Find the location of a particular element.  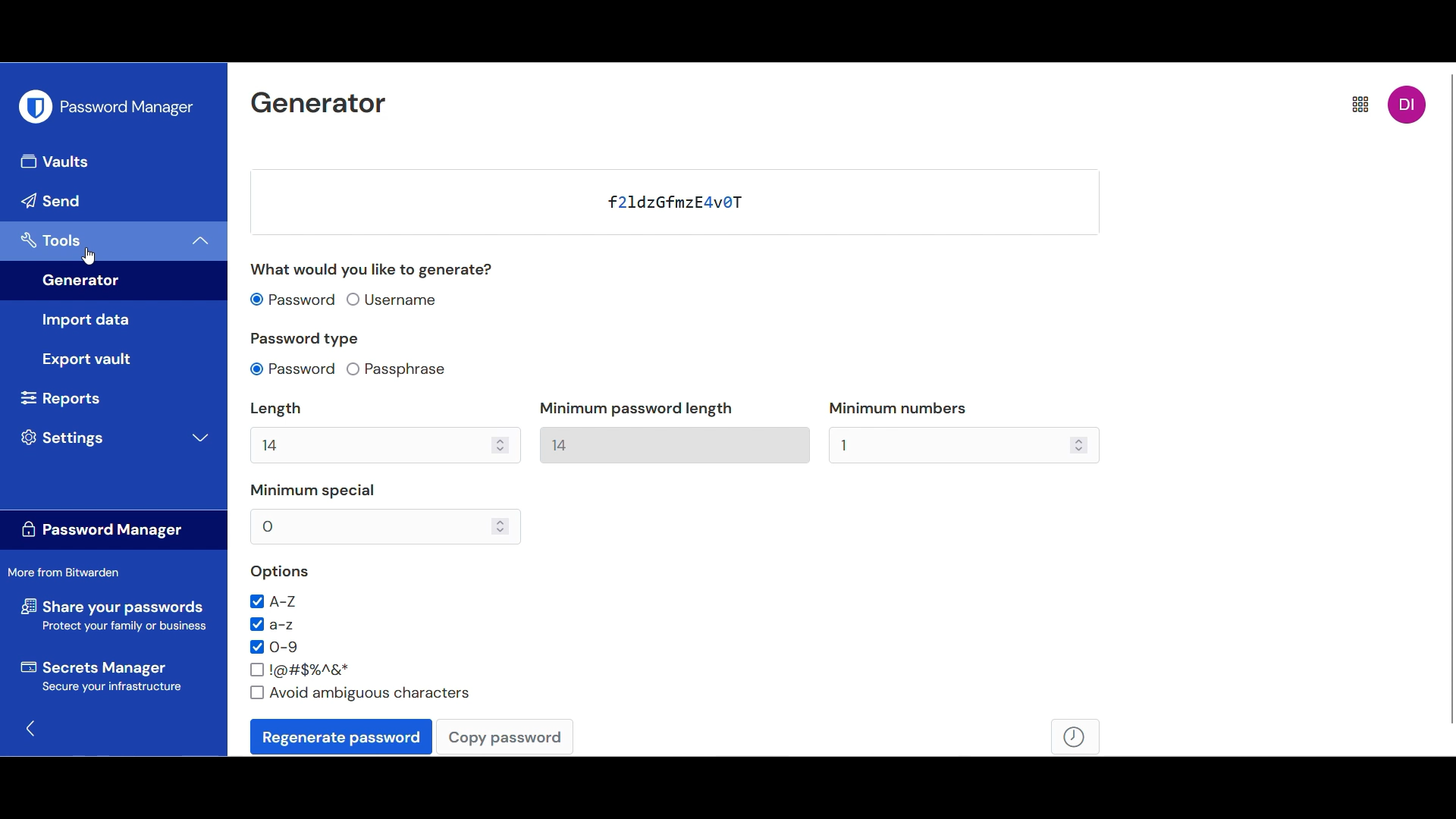

Avoid ambiguous characters is located at coordinates (359, 693).